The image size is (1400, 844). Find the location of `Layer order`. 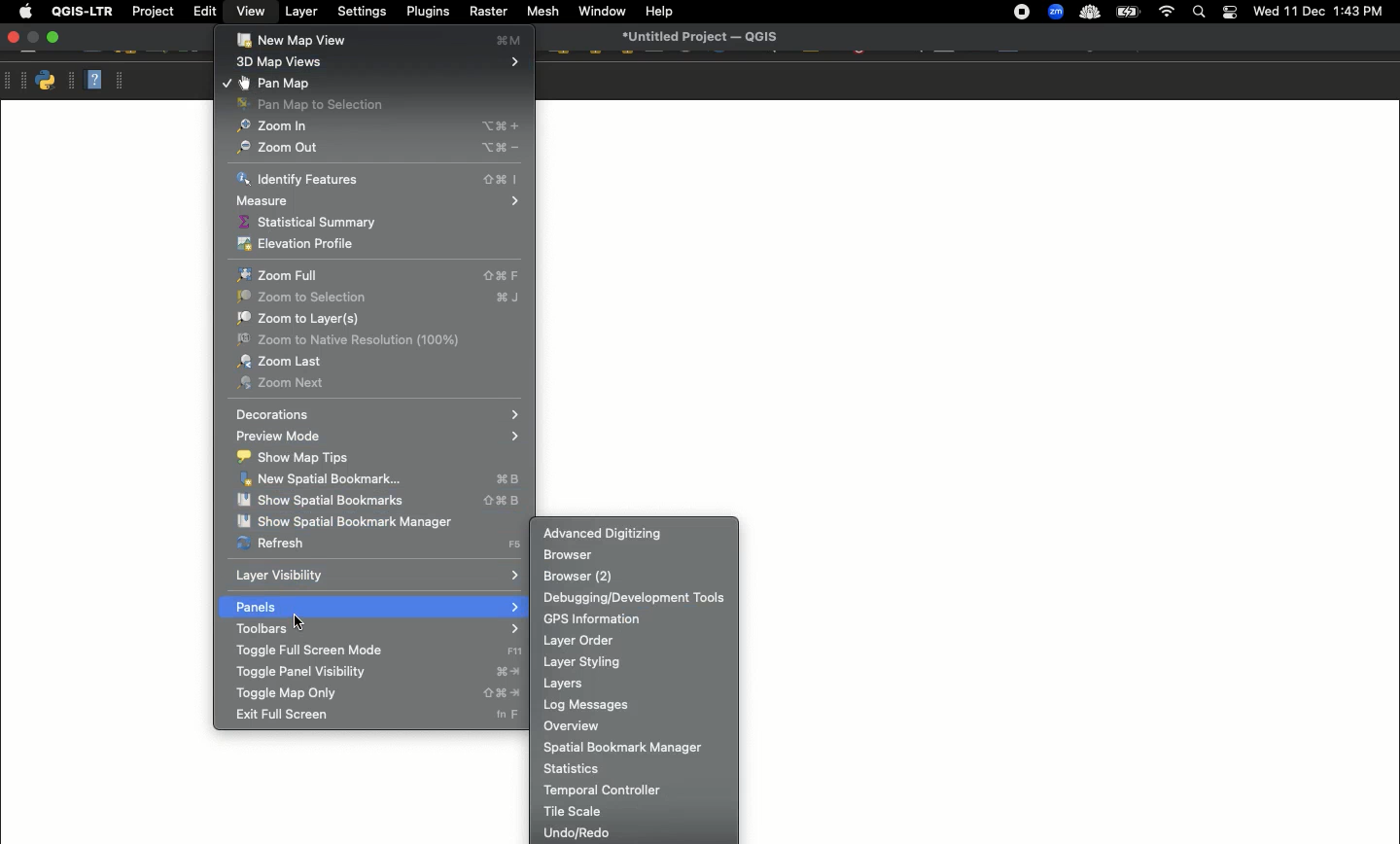

Layer order is located at coordinates (634, 641).